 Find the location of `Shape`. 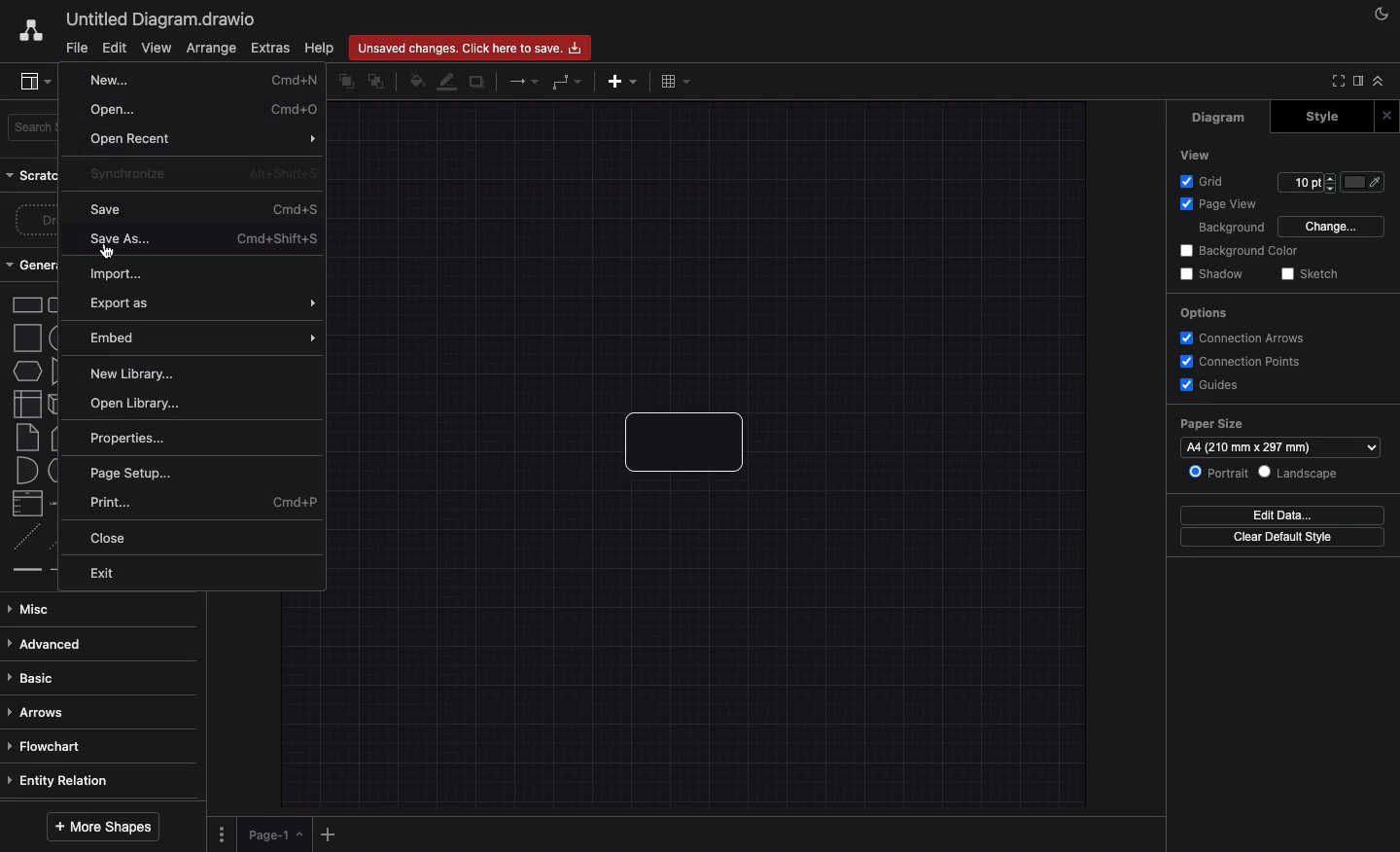

Shape is located at coordinates (693, 446).